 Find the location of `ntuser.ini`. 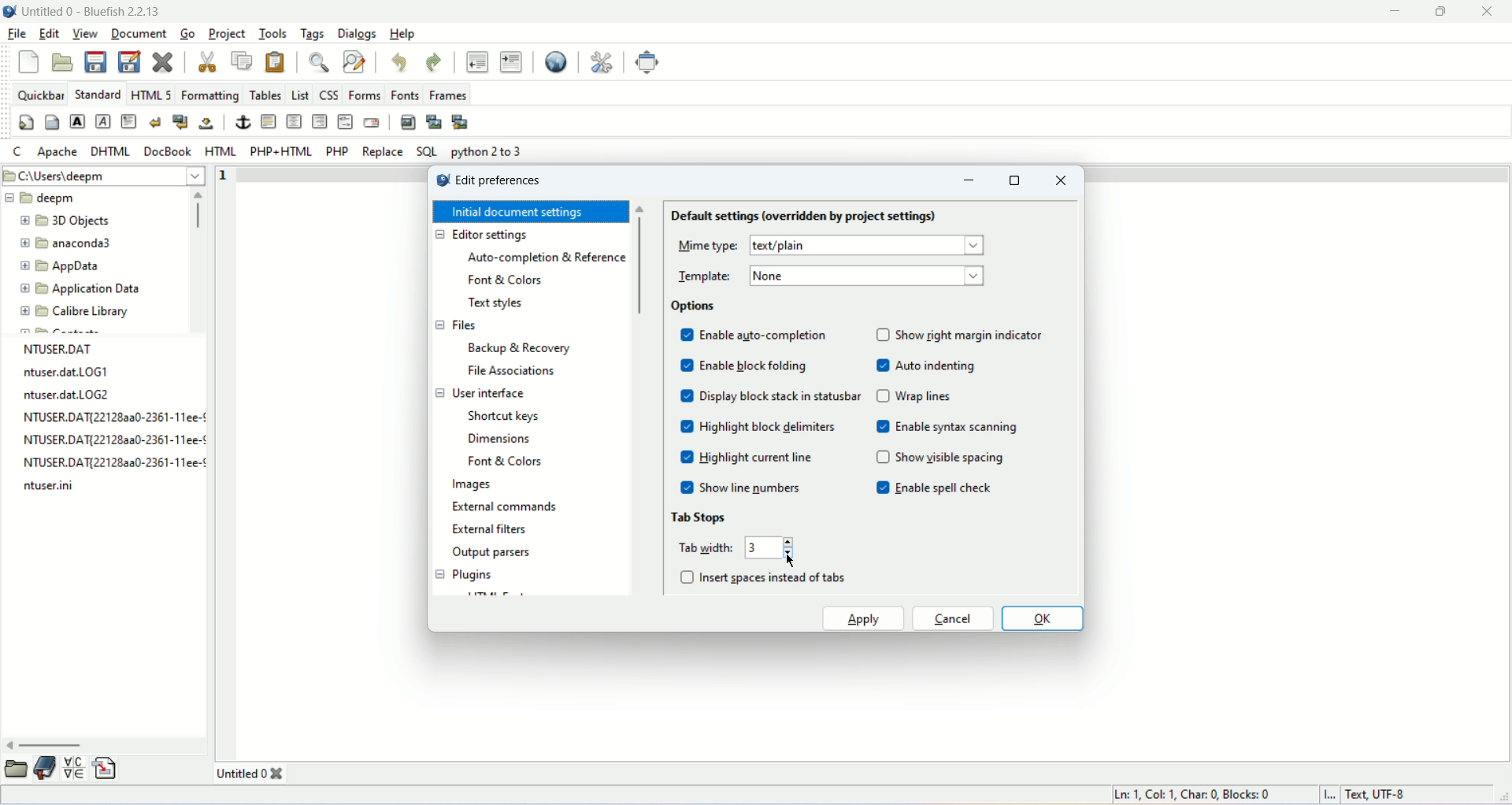

ntuser.ini is located at coordinates (56, 488).